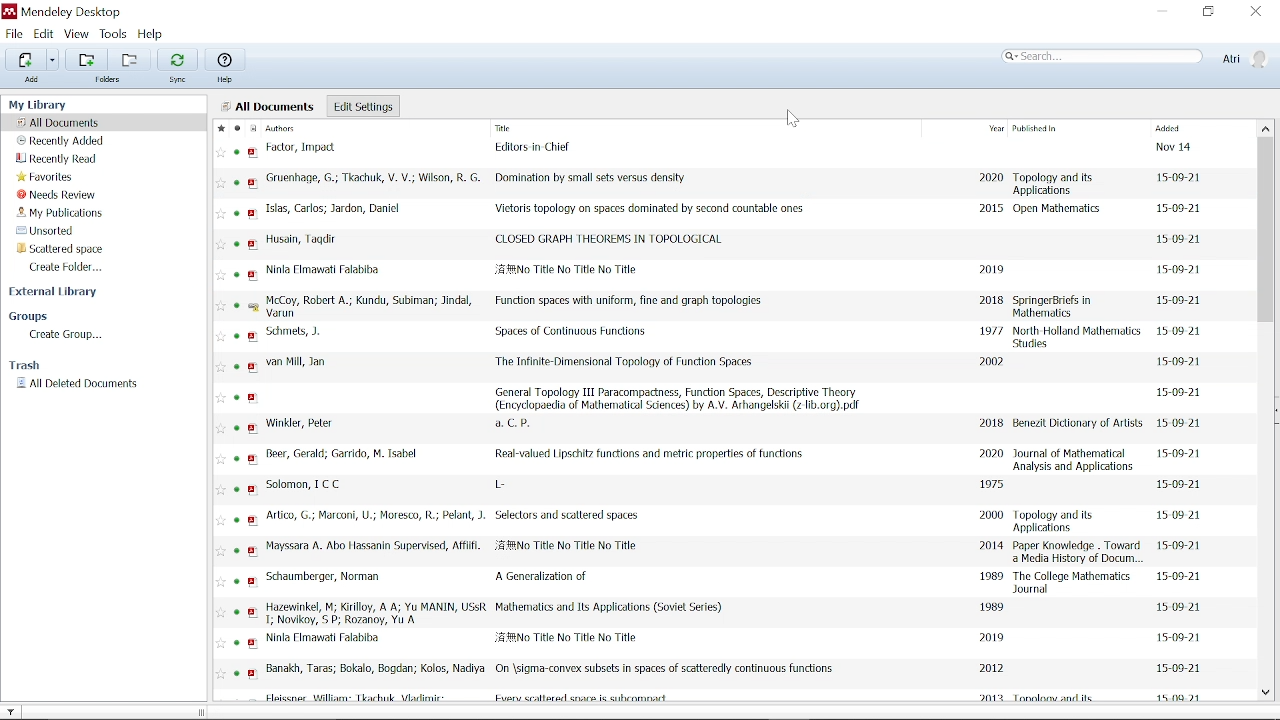 Image resolution: width=1280 pixels, height=720 pixels. I want to click on Cursor, so click(793, 122).